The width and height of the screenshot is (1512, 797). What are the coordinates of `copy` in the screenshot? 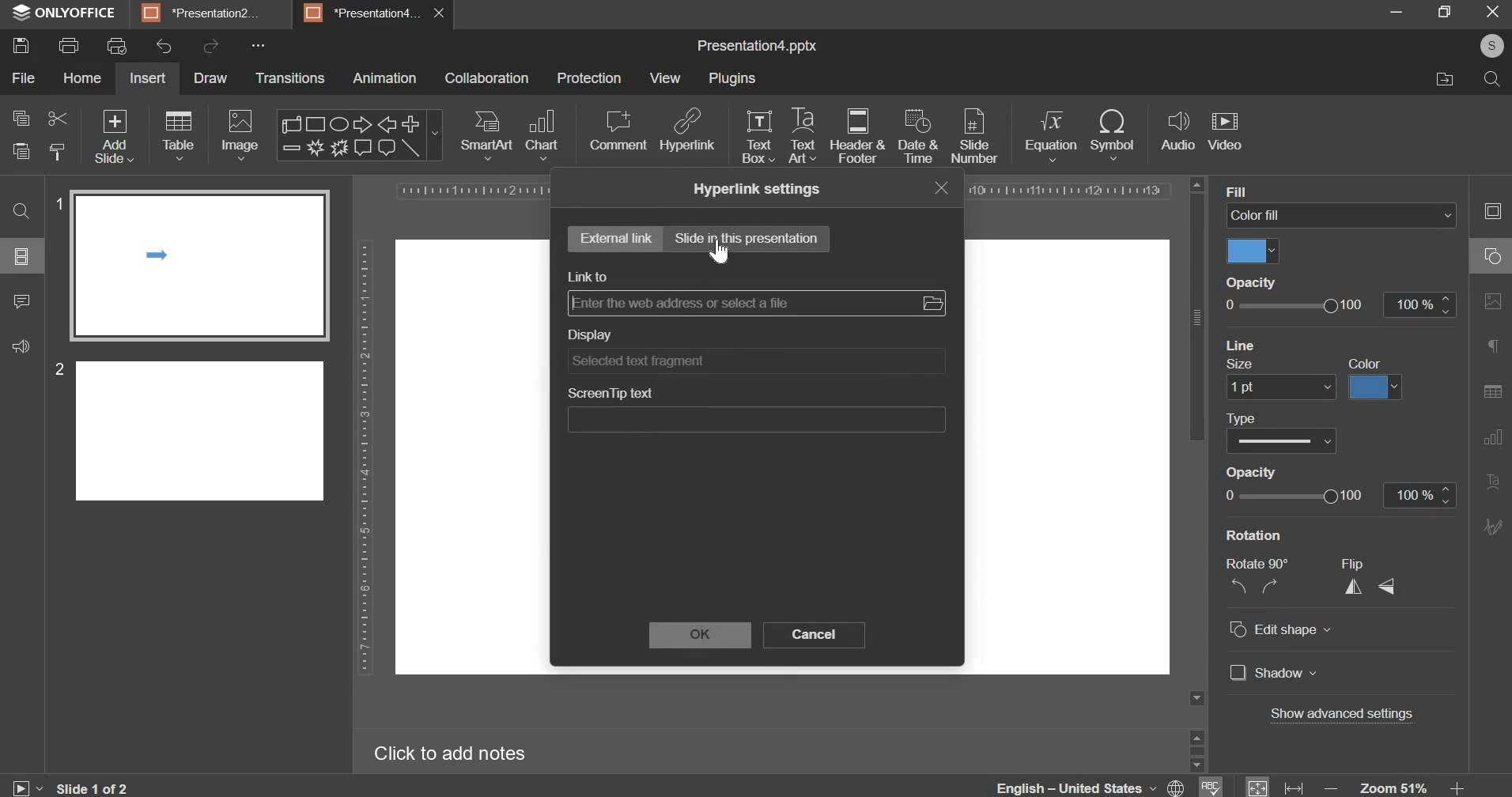 It's located at (21, 117).